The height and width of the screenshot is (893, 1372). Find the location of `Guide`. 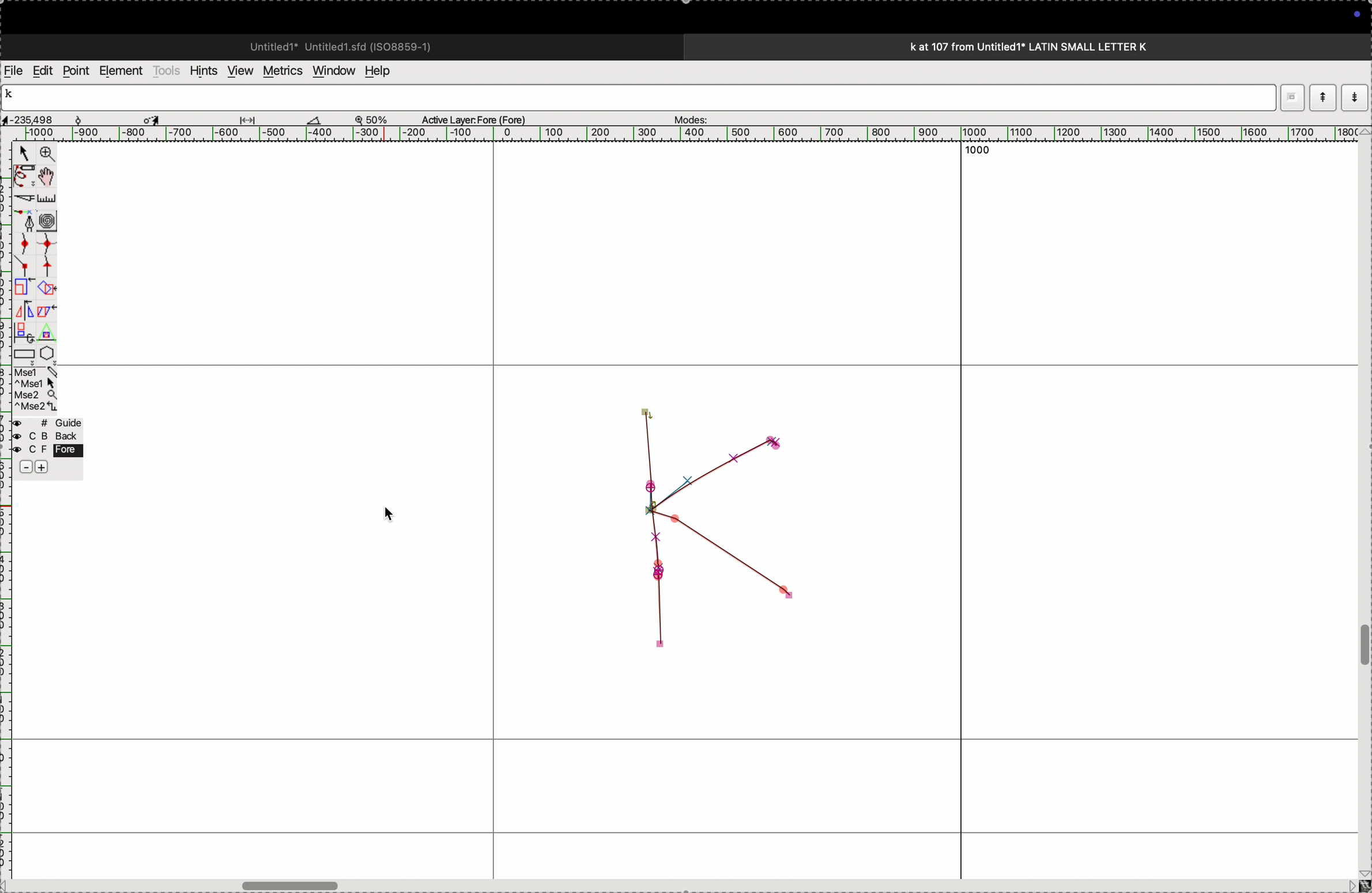

Guide is located at coordinates (47, 446).